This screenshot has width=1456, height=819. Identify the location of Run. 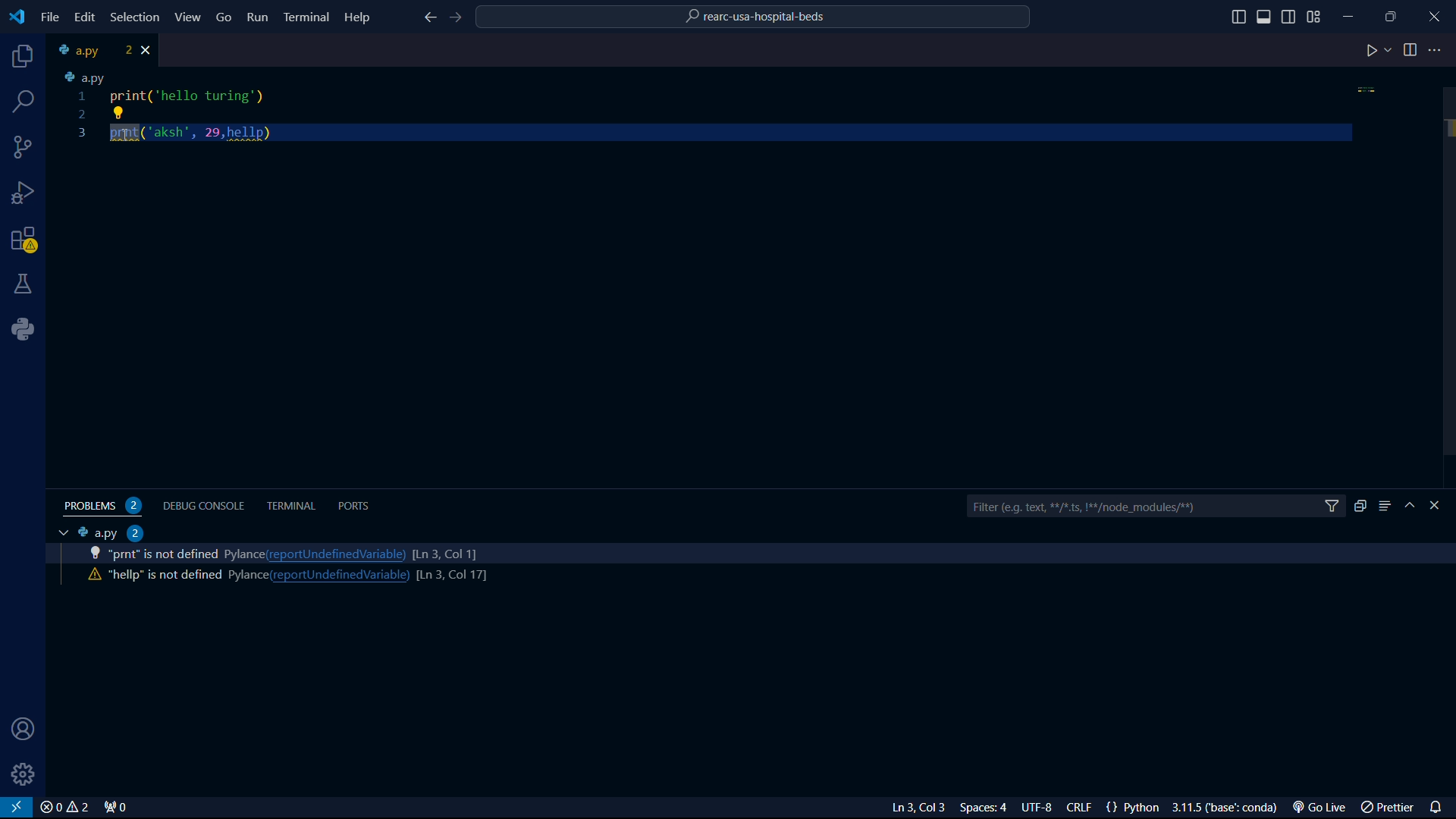
(259, 20).